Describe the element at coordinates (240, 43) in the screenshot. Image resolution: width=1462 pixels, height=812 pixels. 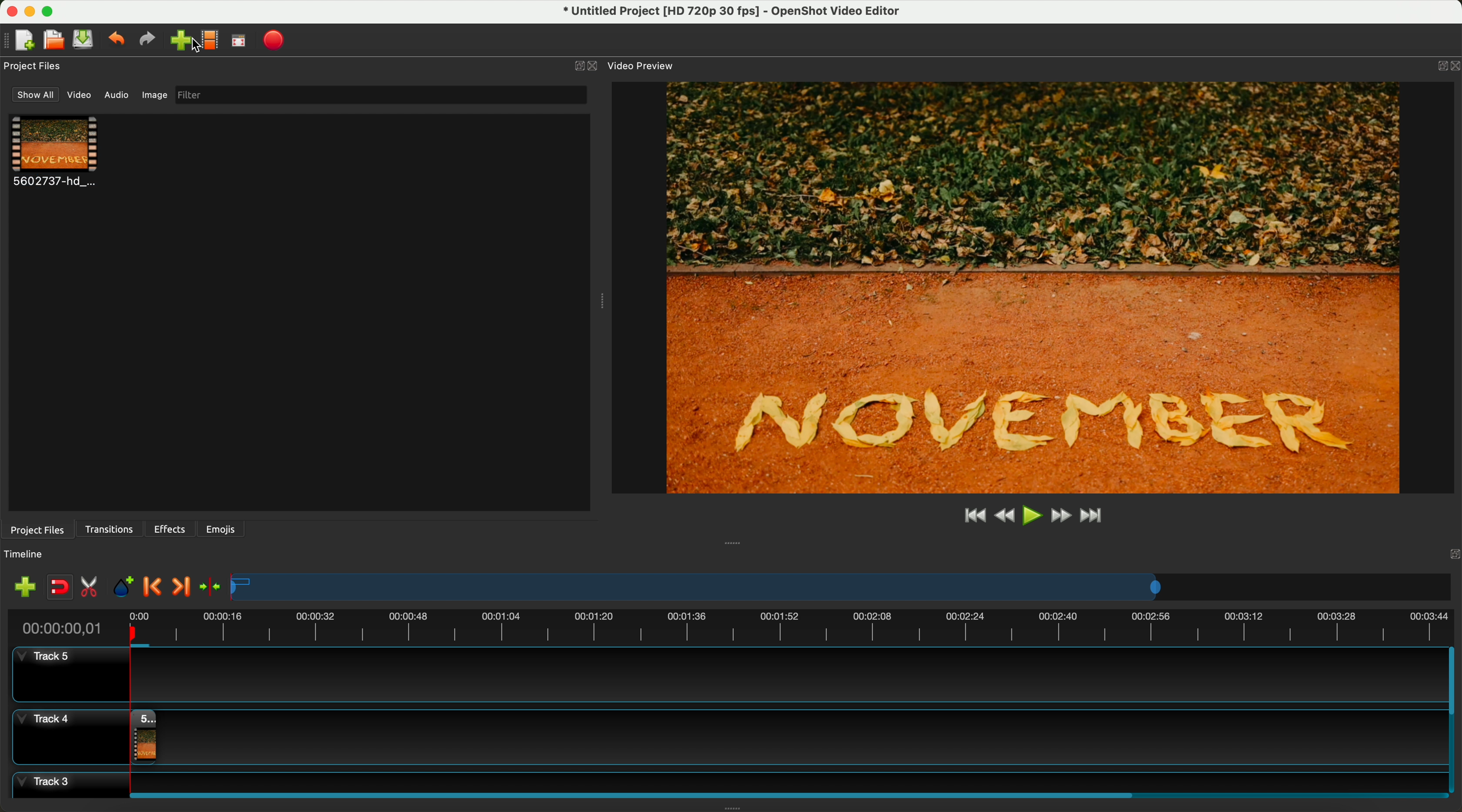
I see `full screen` at that location.